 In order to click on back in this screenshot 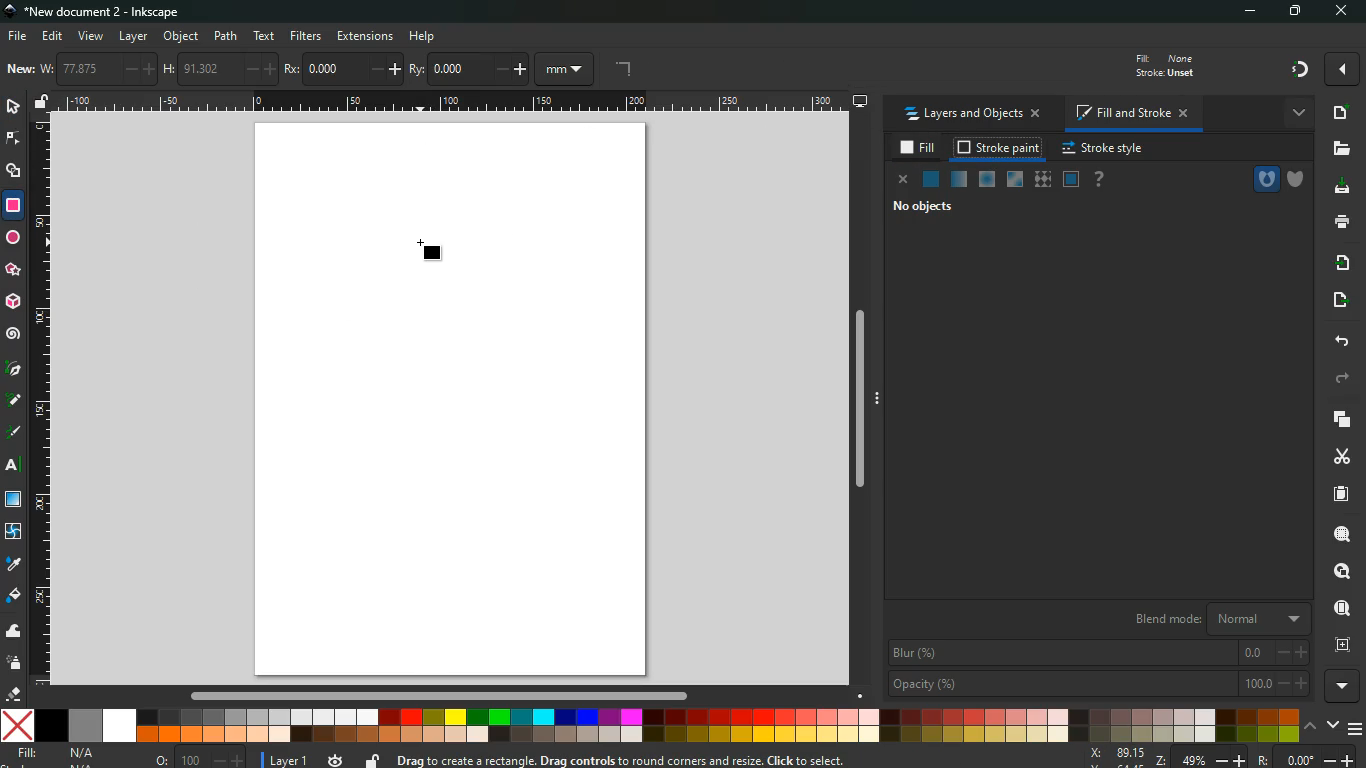, I will do `click(1342, 341)`.